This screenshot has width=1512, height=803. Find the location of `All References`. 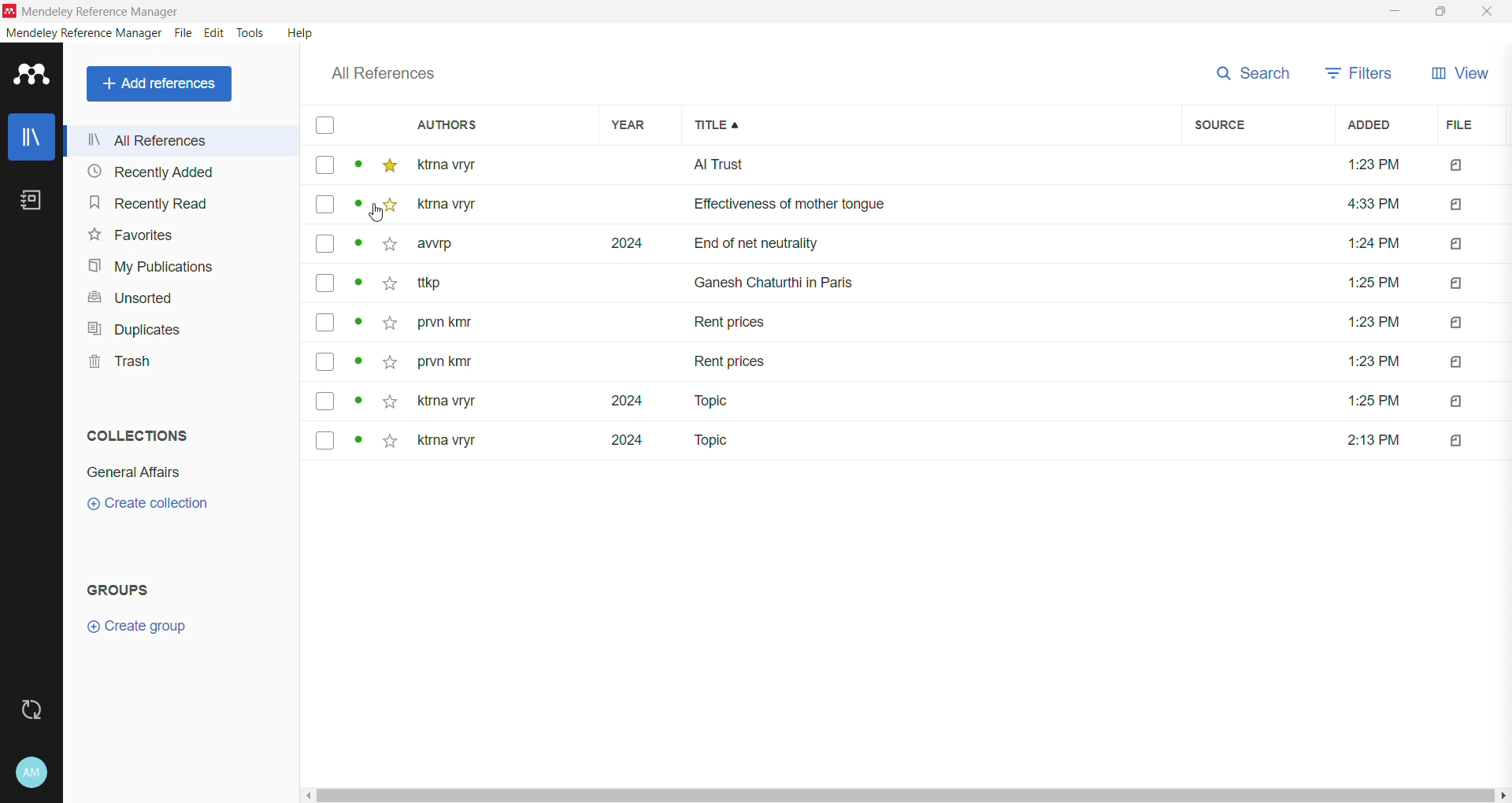

All References is located at coordinates (162, 84).